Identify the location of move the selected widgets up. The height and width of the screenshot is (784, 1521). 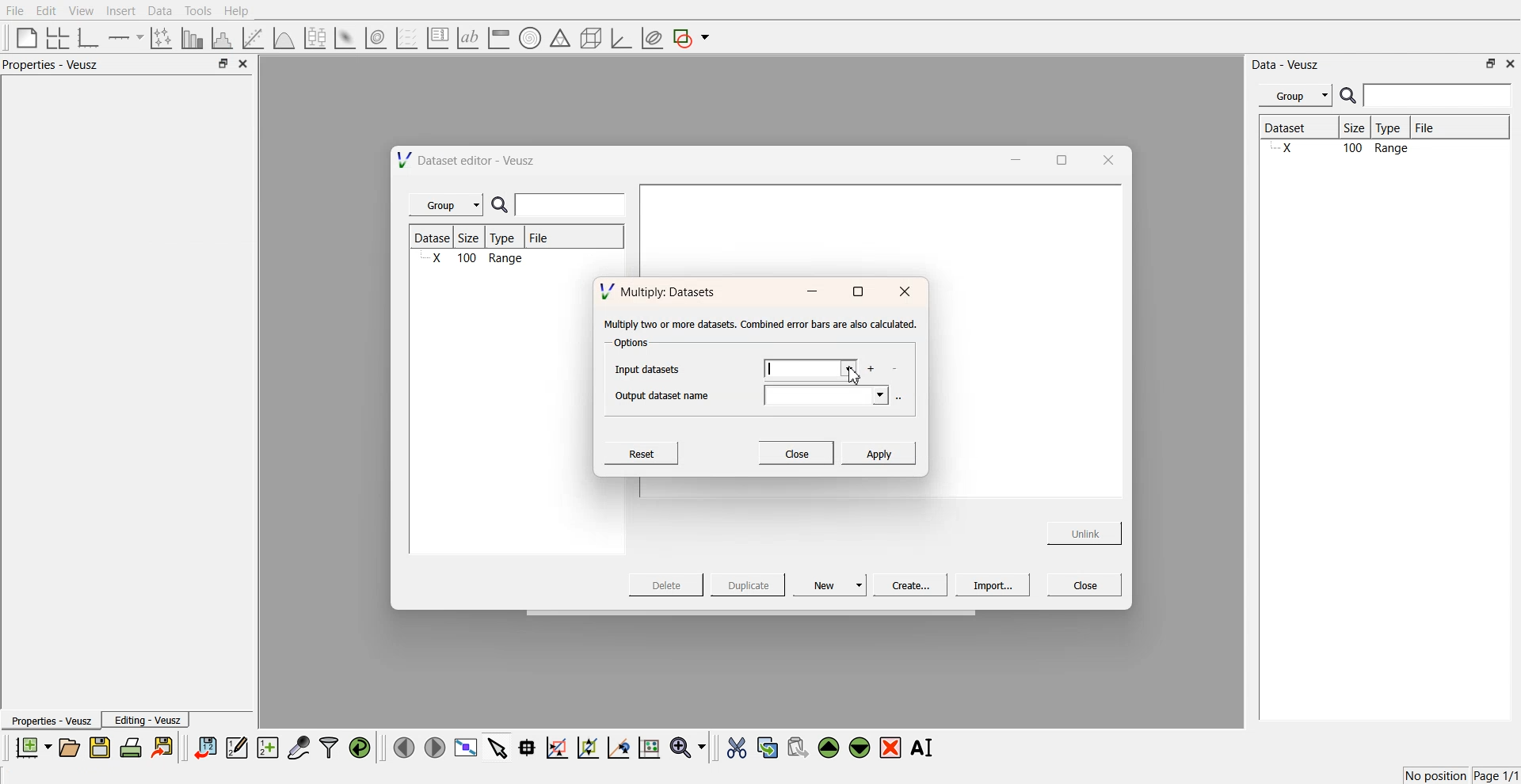
(830, 748).